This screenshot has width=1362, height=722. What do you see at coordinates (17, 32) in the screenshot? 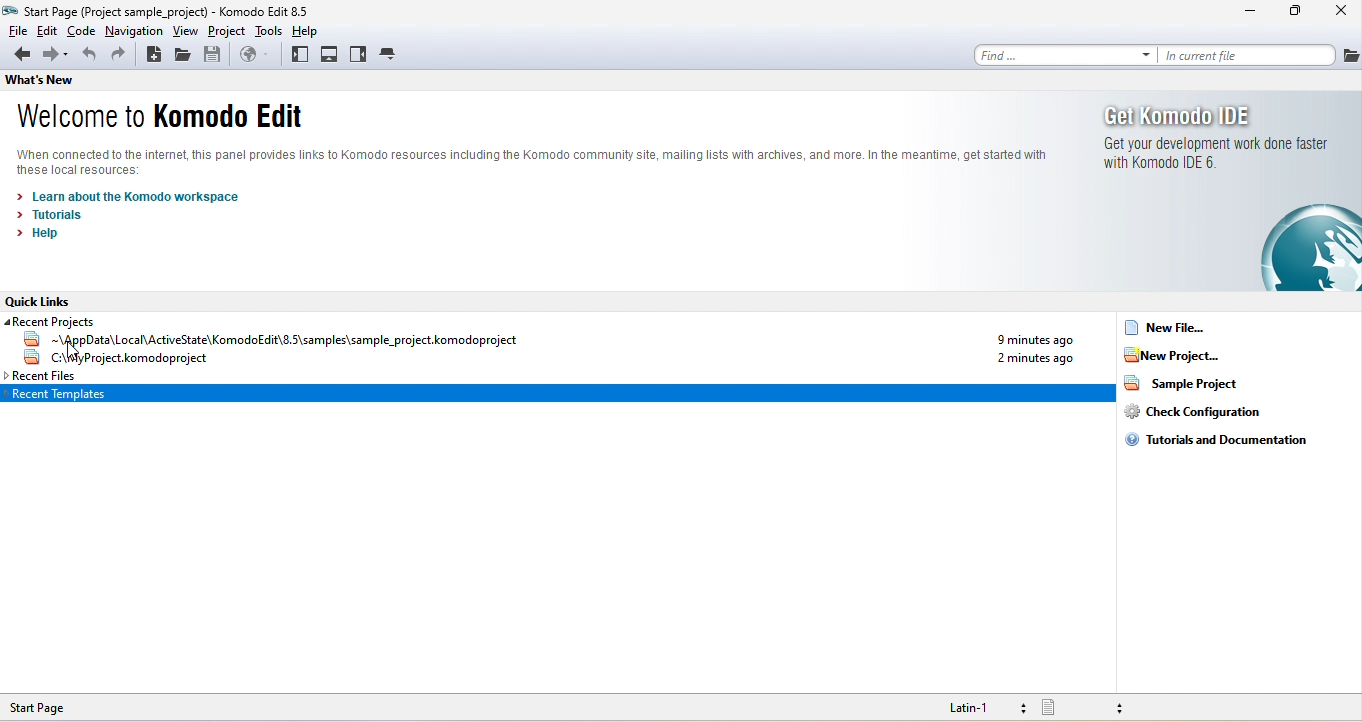
I see `file` at bounding box center [17, 32].